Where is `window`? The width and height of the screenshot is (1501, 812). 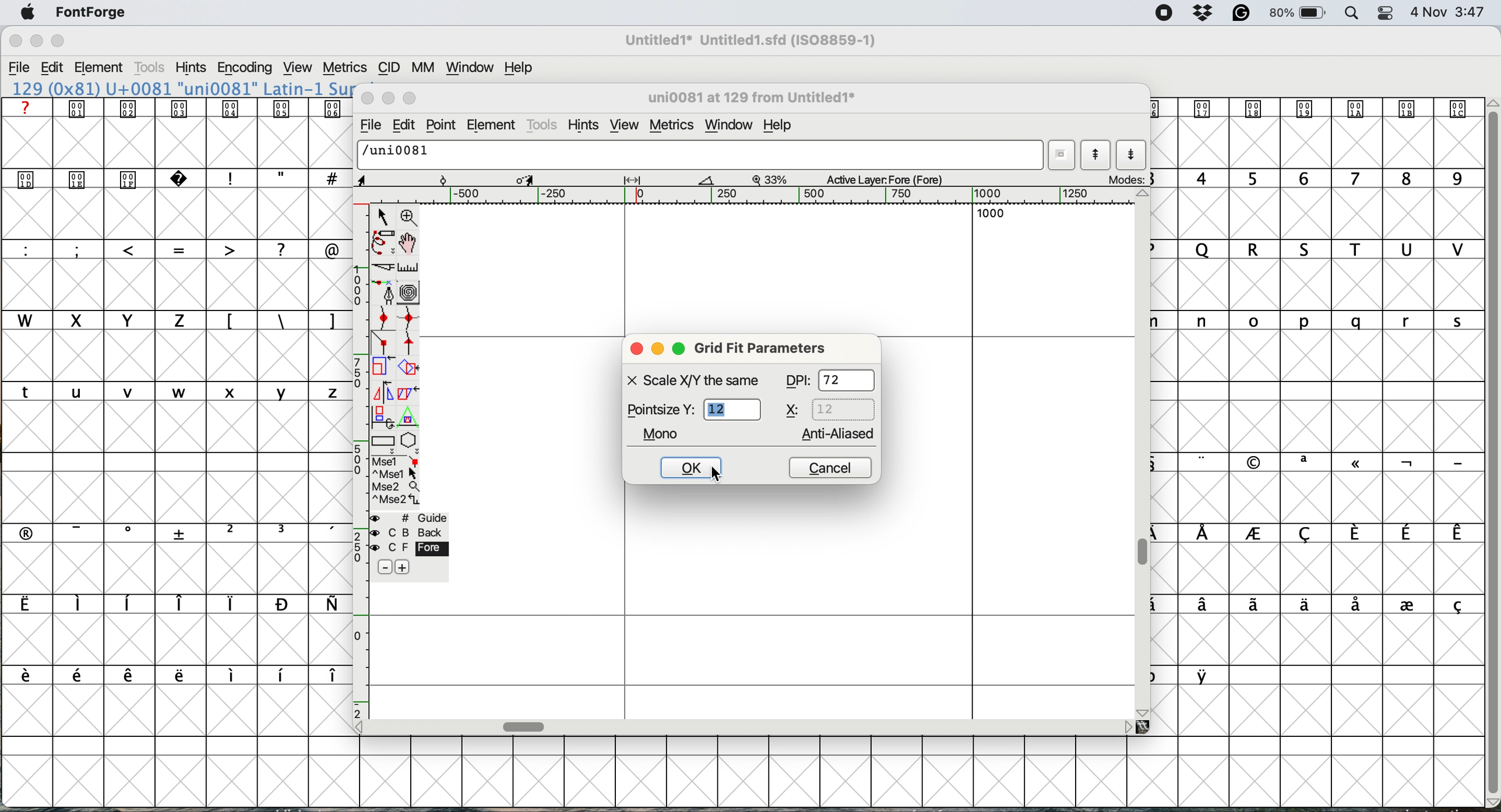 window is located at coordinates (729, 125).